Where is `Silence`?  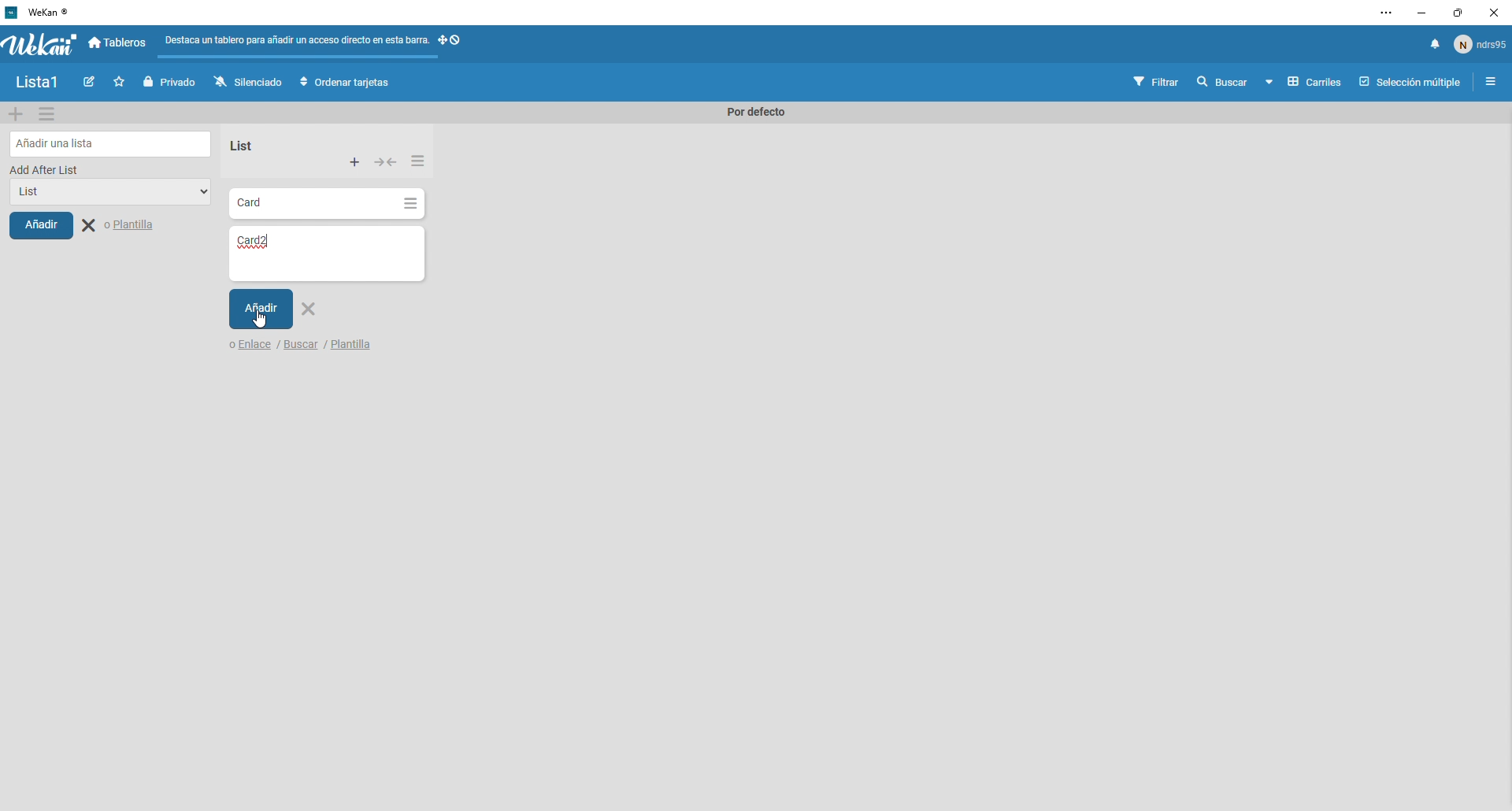
Silence is located at coordinates (247, 83).